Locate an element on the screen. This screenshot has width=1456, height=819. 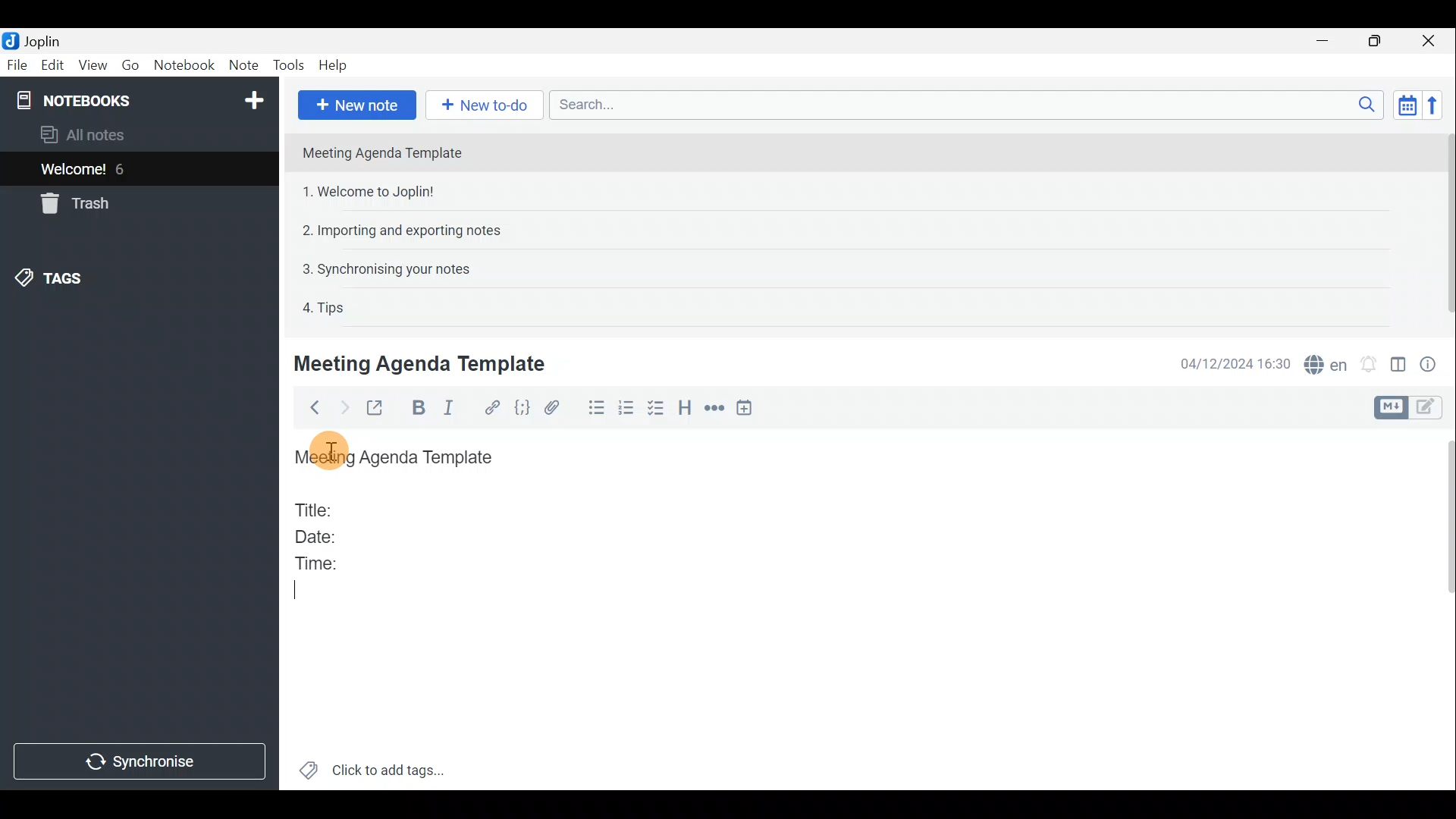
Forward is located at coordinates (342, 407).